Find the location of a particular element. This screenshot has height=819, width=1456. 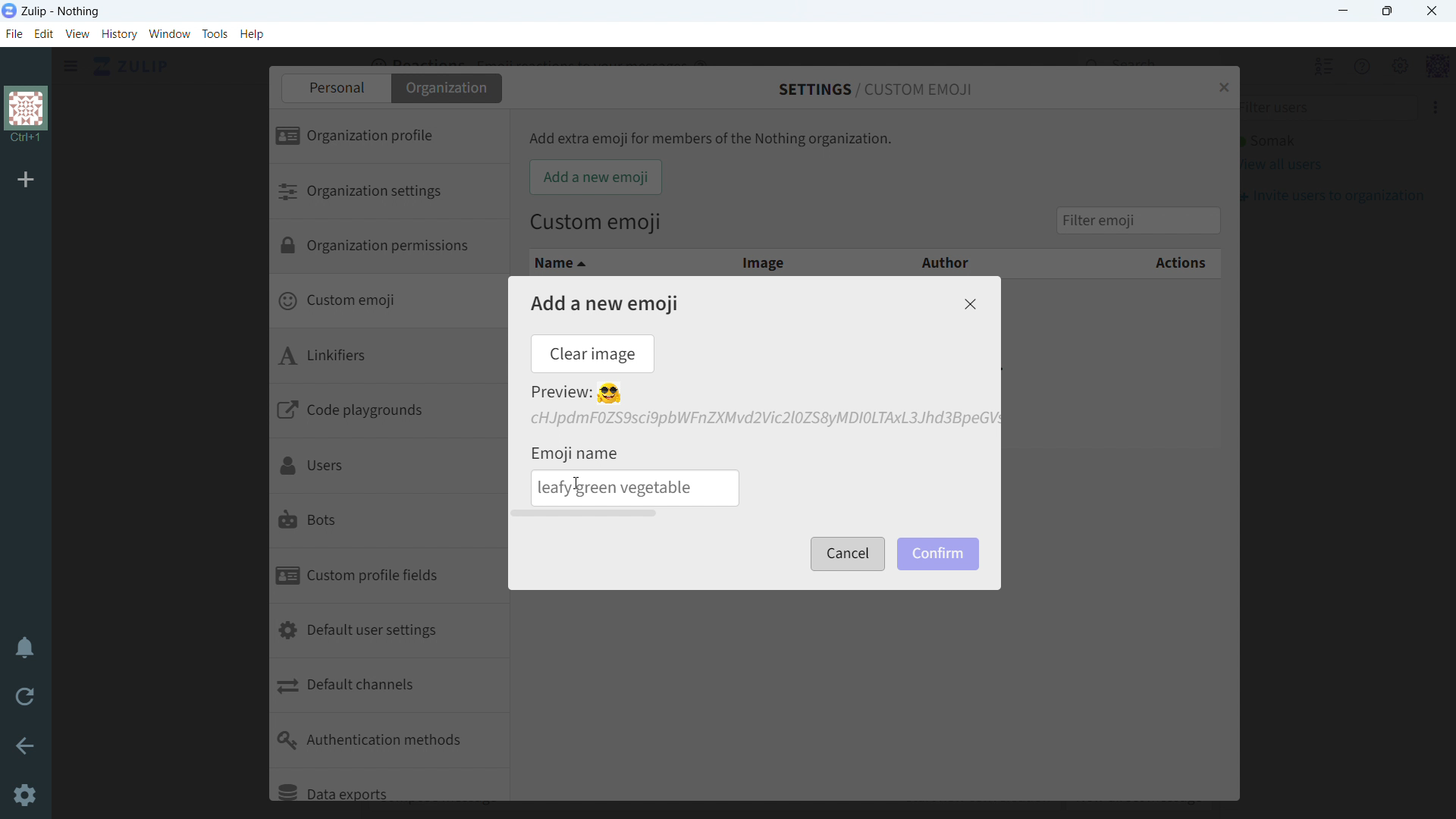

scrollbar is located at coordinates (586, 513).